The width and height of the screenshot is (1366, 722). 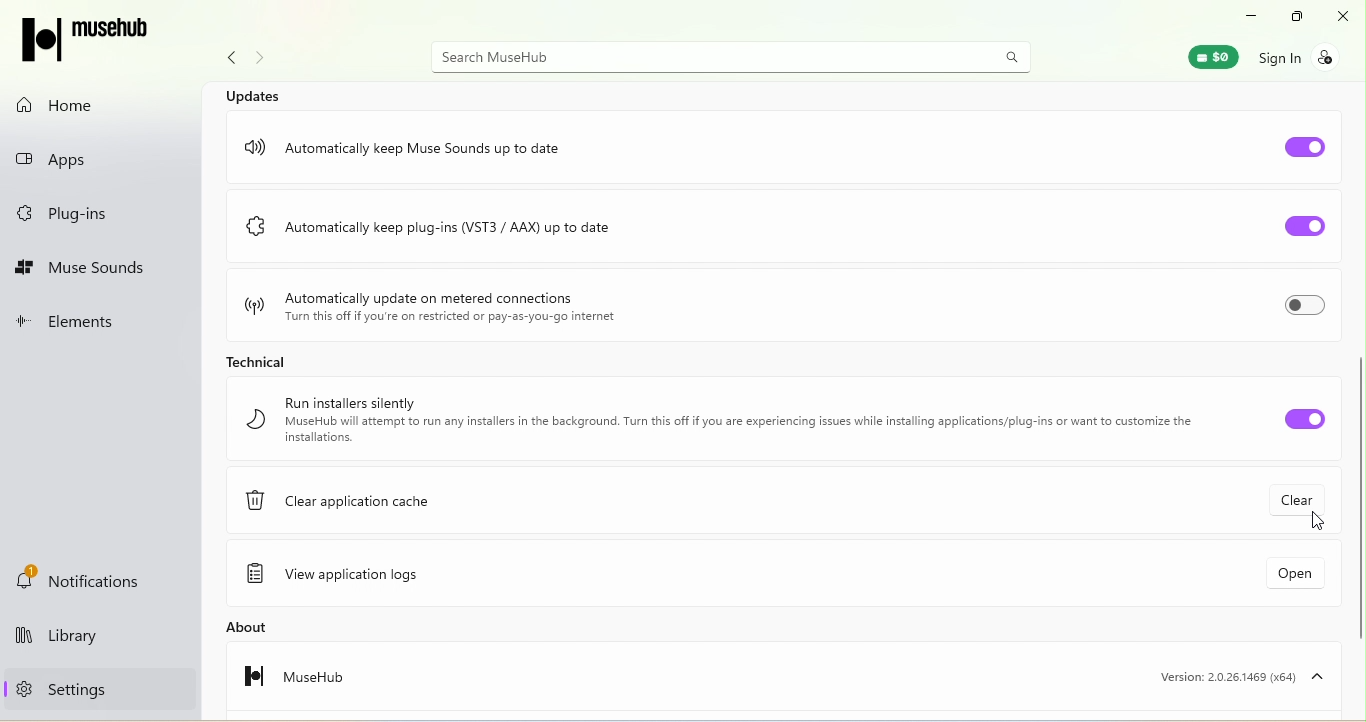 I want to click on Plug-Ins, so click(x=70, y=215).